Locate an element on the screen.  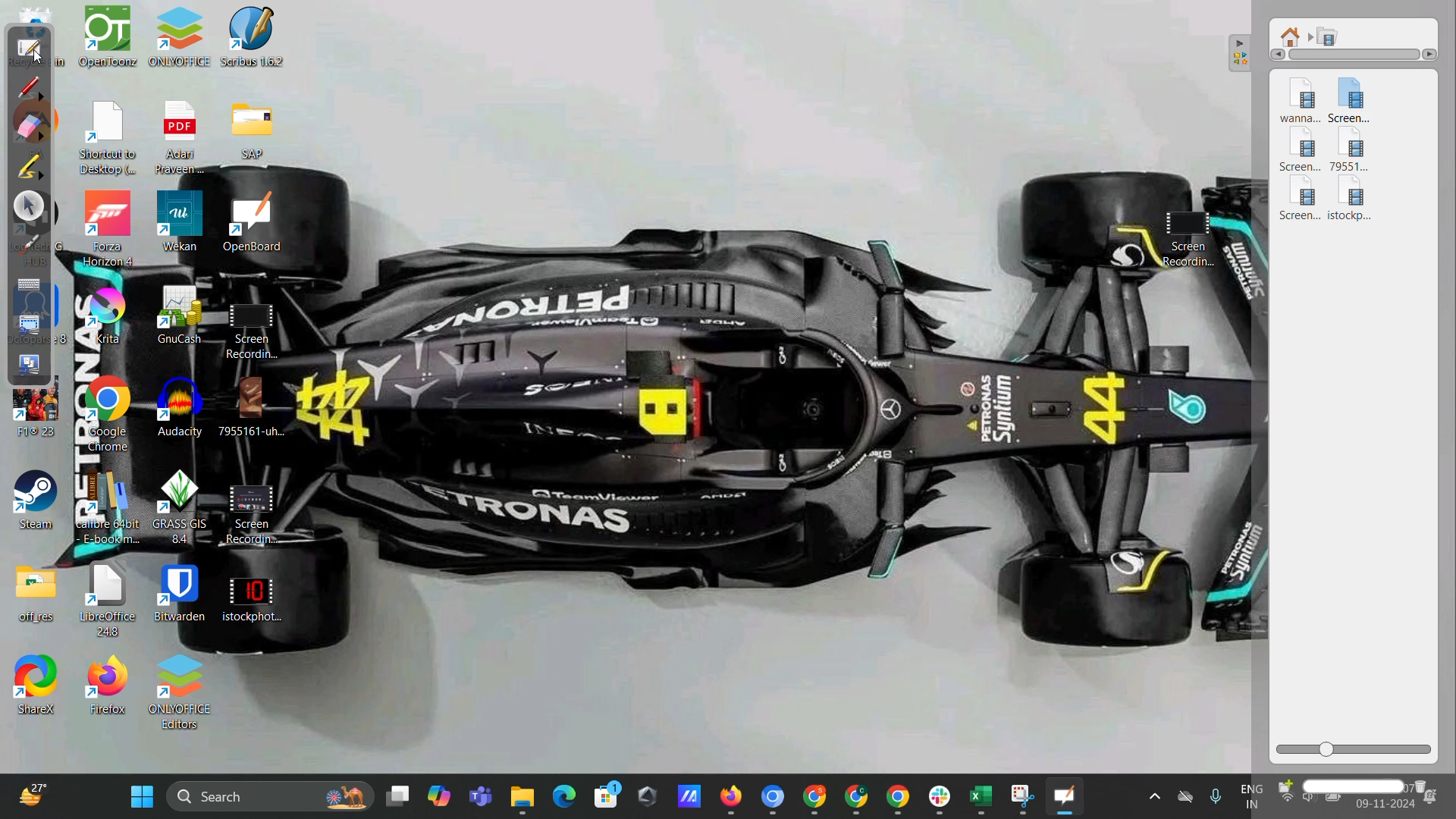
Wekan is located at coordinates (181, 223).